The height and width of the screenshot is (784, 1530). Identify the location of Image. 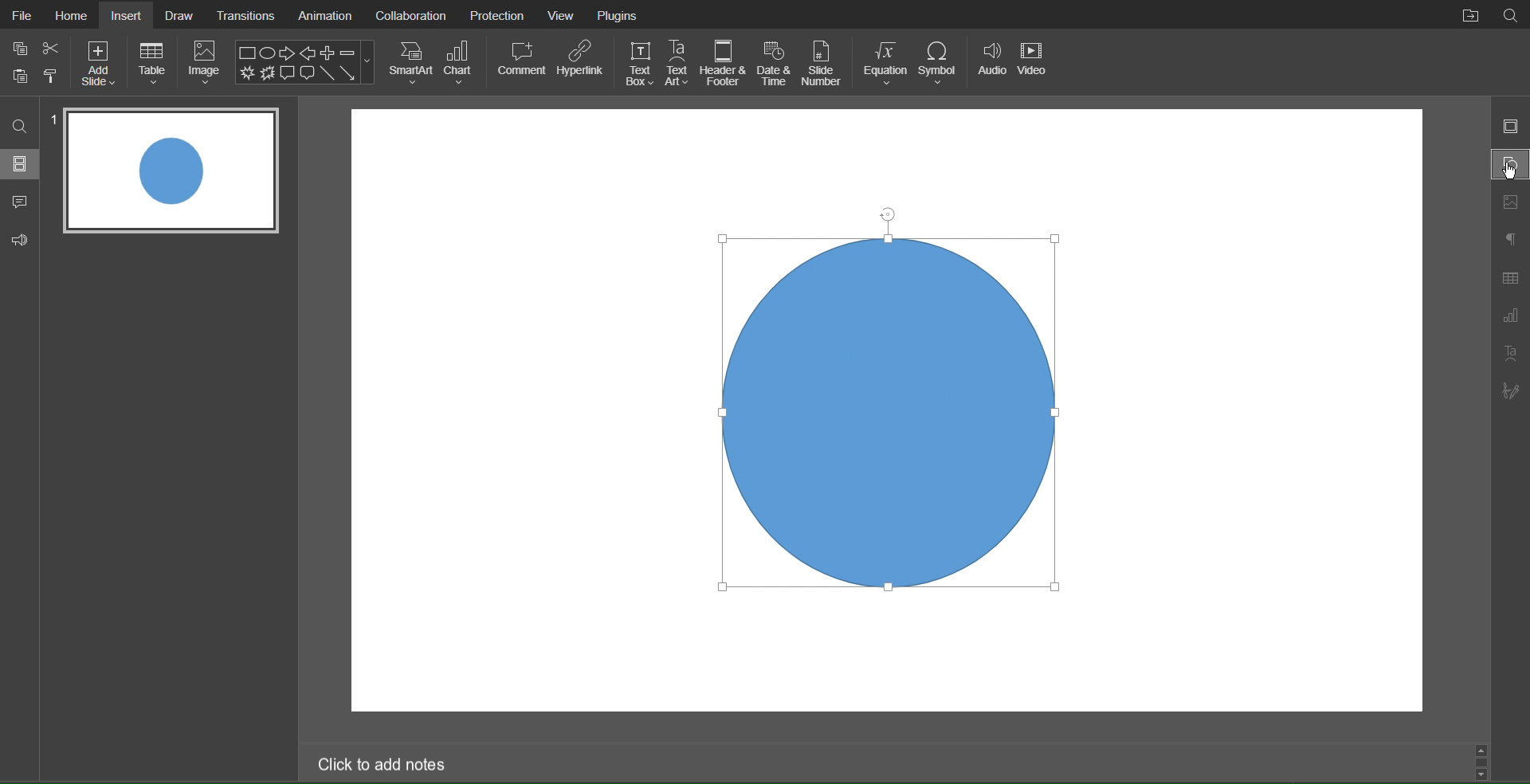
(205, 62).